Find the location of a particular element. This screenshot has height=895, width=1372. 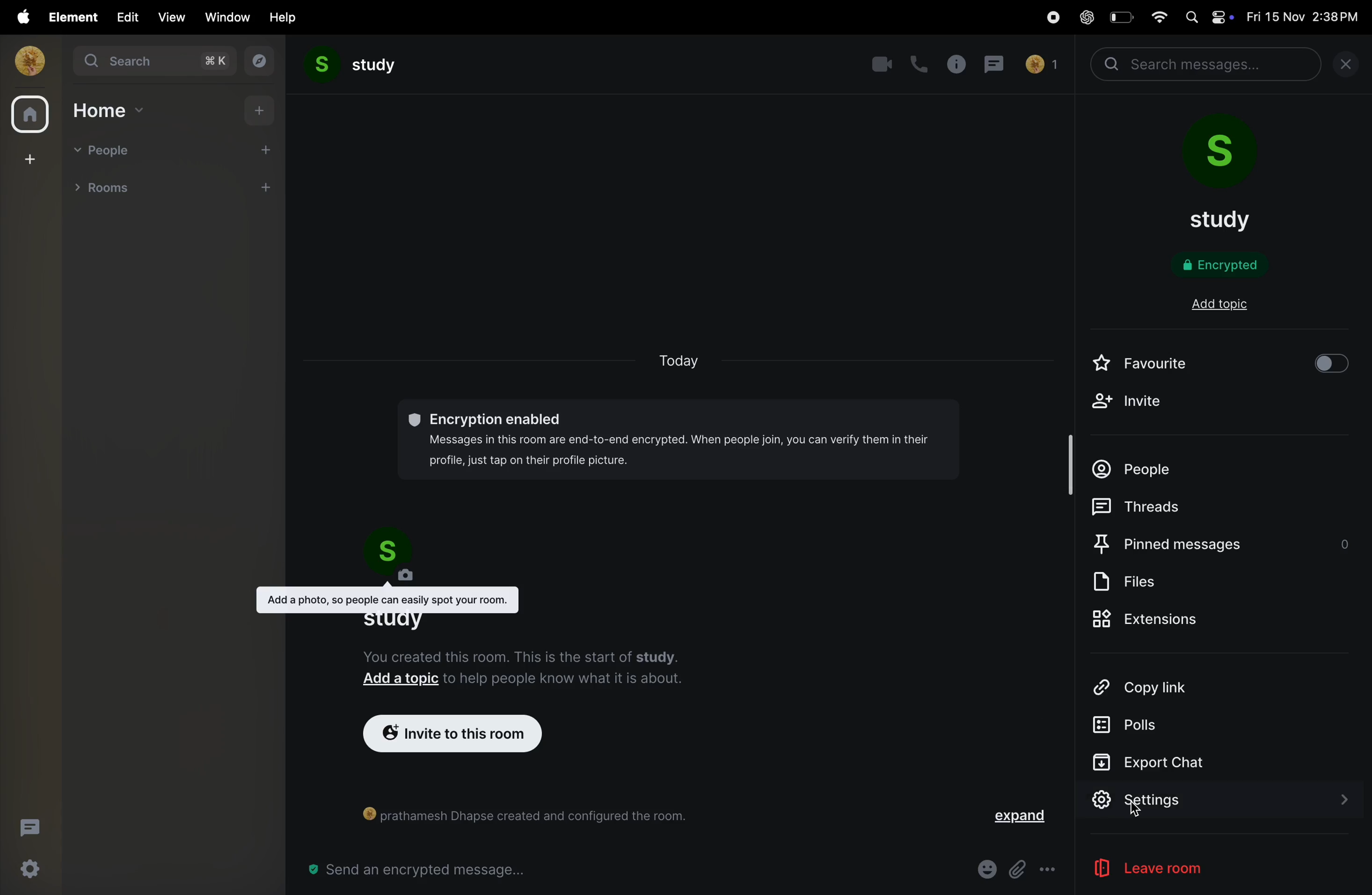

no of people is located at coordinates (1041, 66).